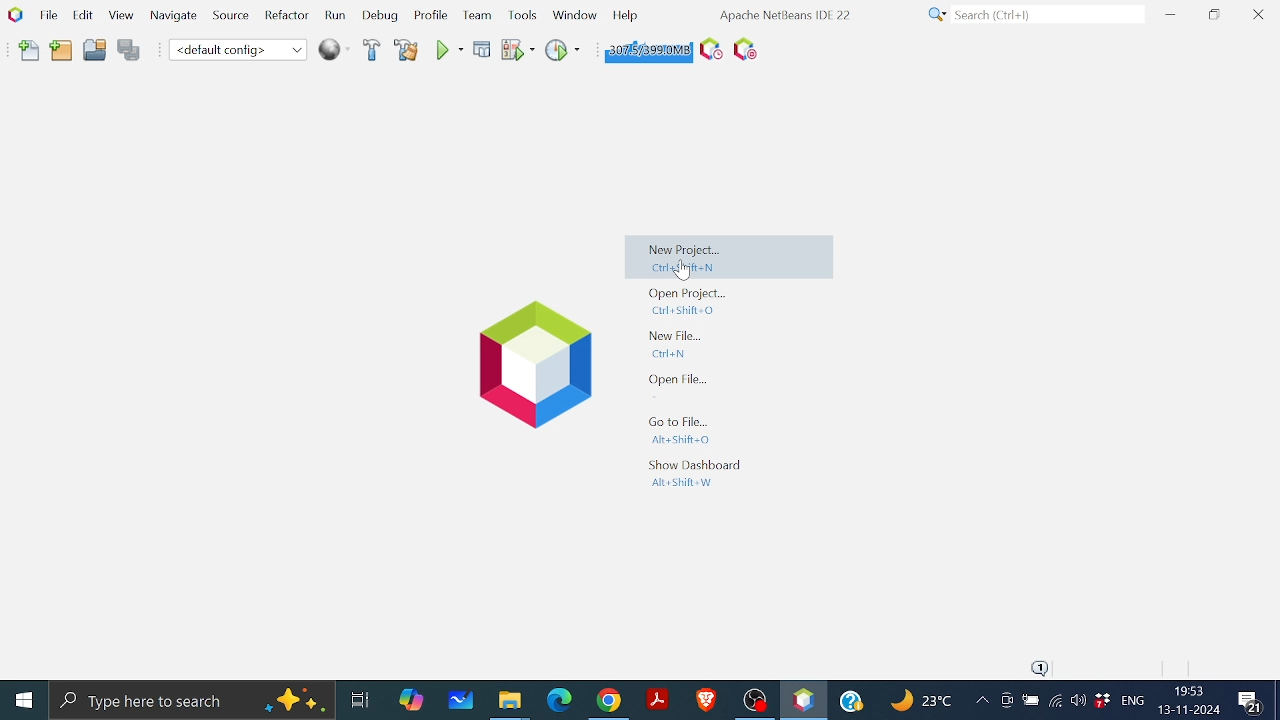 Image resolution: width=1280 pixels, height=720 pixels. What do you see at coordinates (731, 260) in the screenshot?
I see `New Project` at bounding box center [731, 260].